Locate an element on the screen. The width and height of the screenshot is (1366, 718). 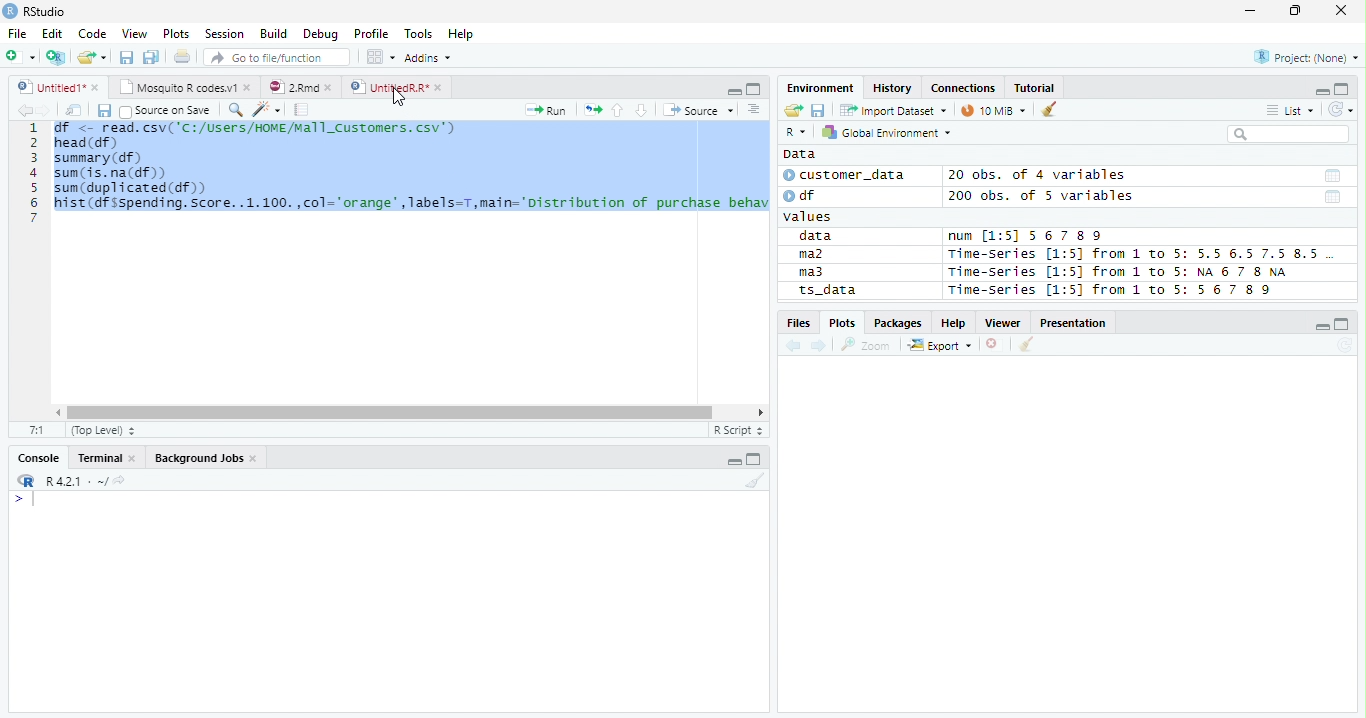
Source on save is located at coordinates (166, 111).